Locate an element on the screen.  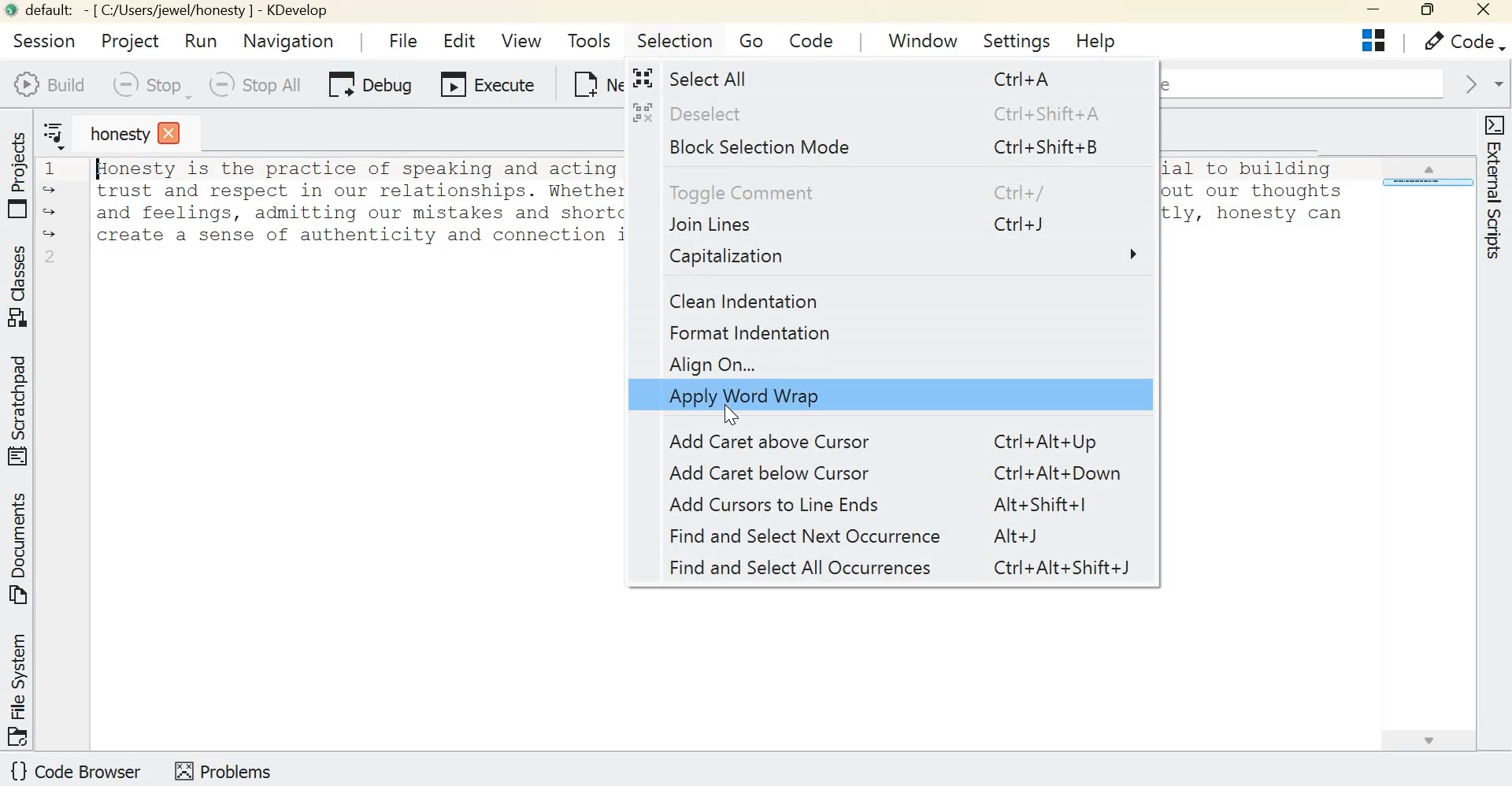
select all is located at coordinates (853, 77).